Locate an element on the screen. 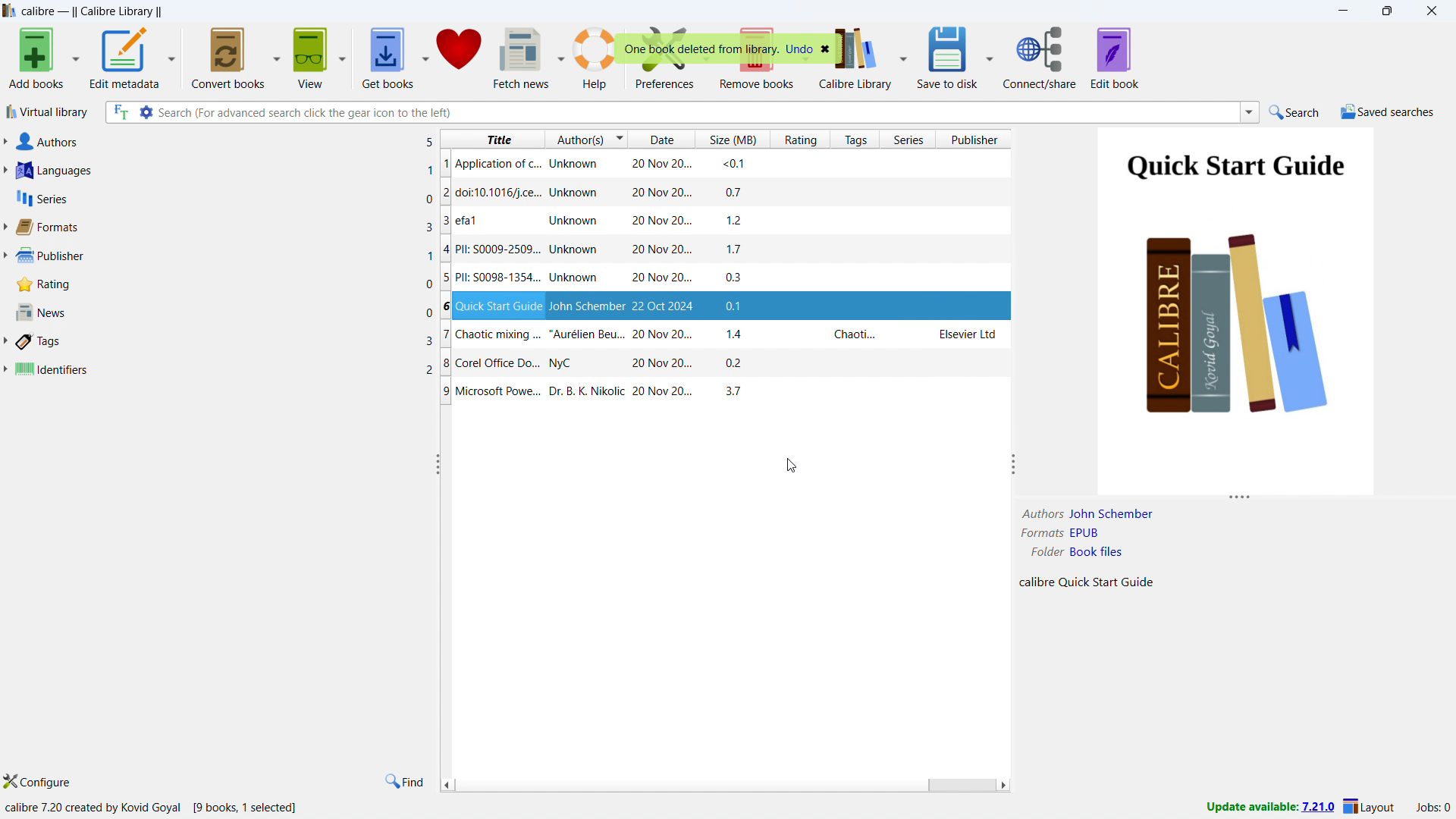 The image size is (1456, 819). doic 10.1016/j.ce.. is located at coordinates (687, 191).